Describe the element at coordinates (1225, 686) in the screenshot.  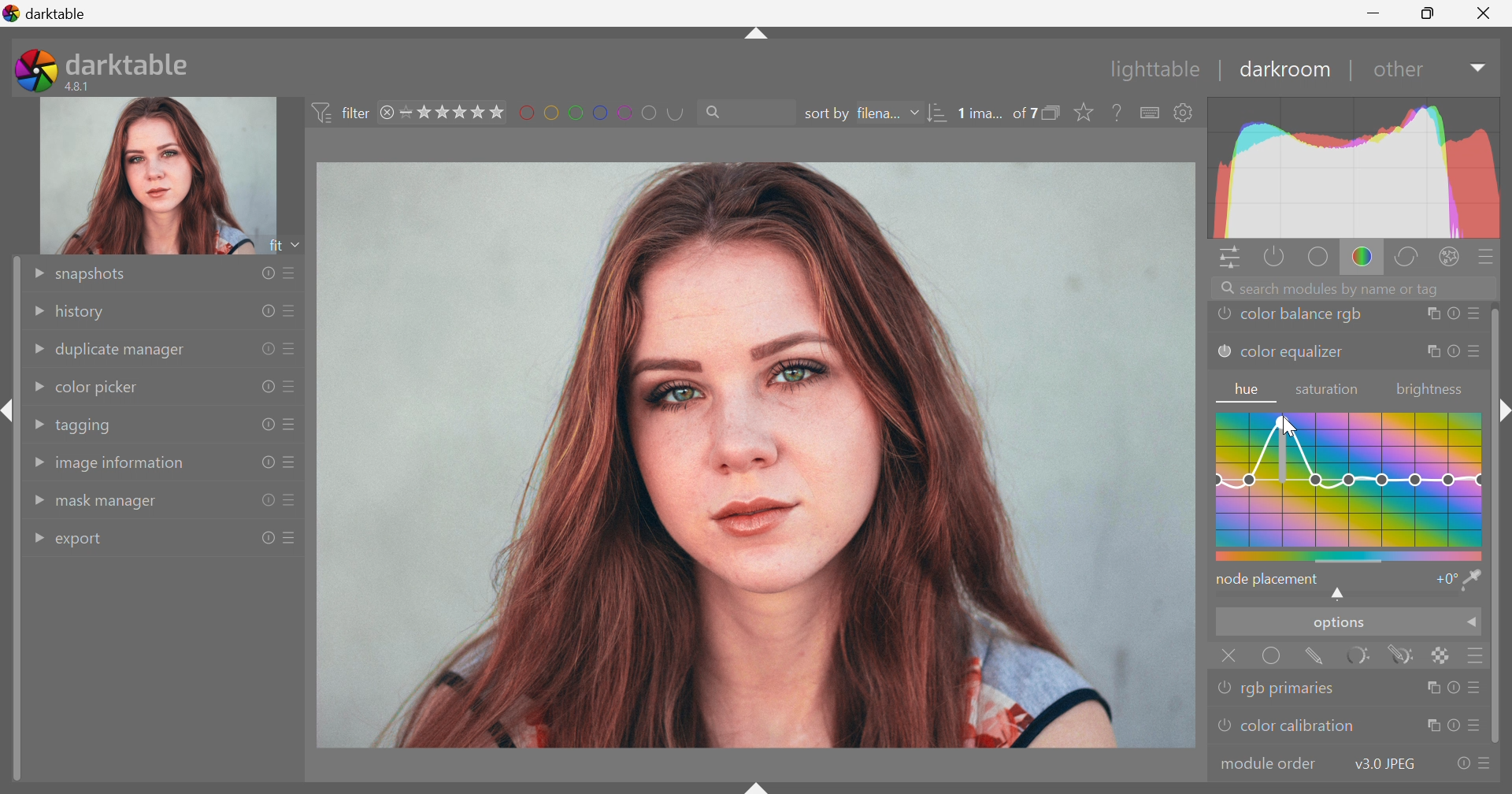
I see `'rgb primaries' is switched off` at that location.